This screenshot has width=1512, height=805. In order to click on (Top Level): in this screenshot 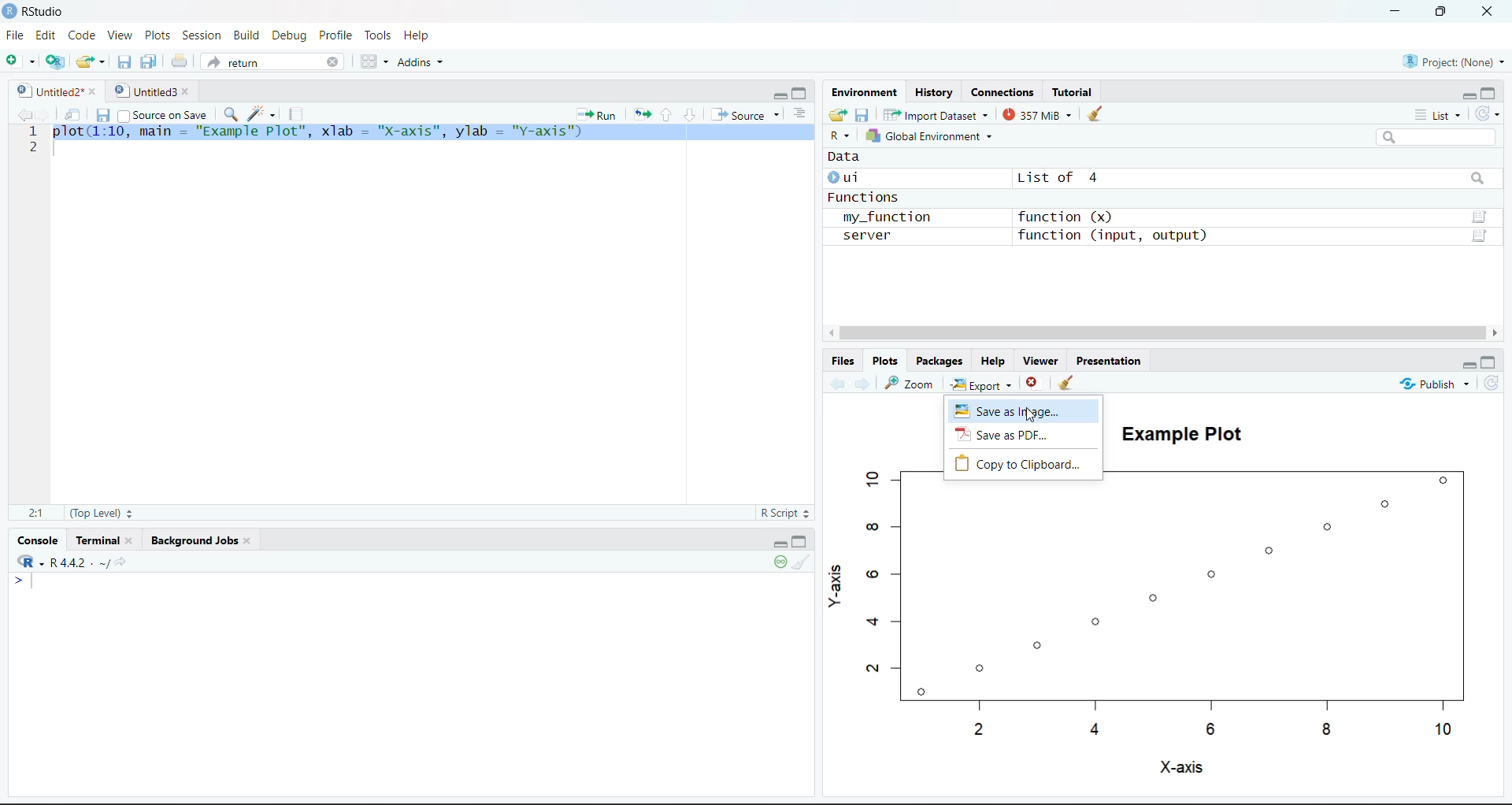, I will do `click(99, 512)`.